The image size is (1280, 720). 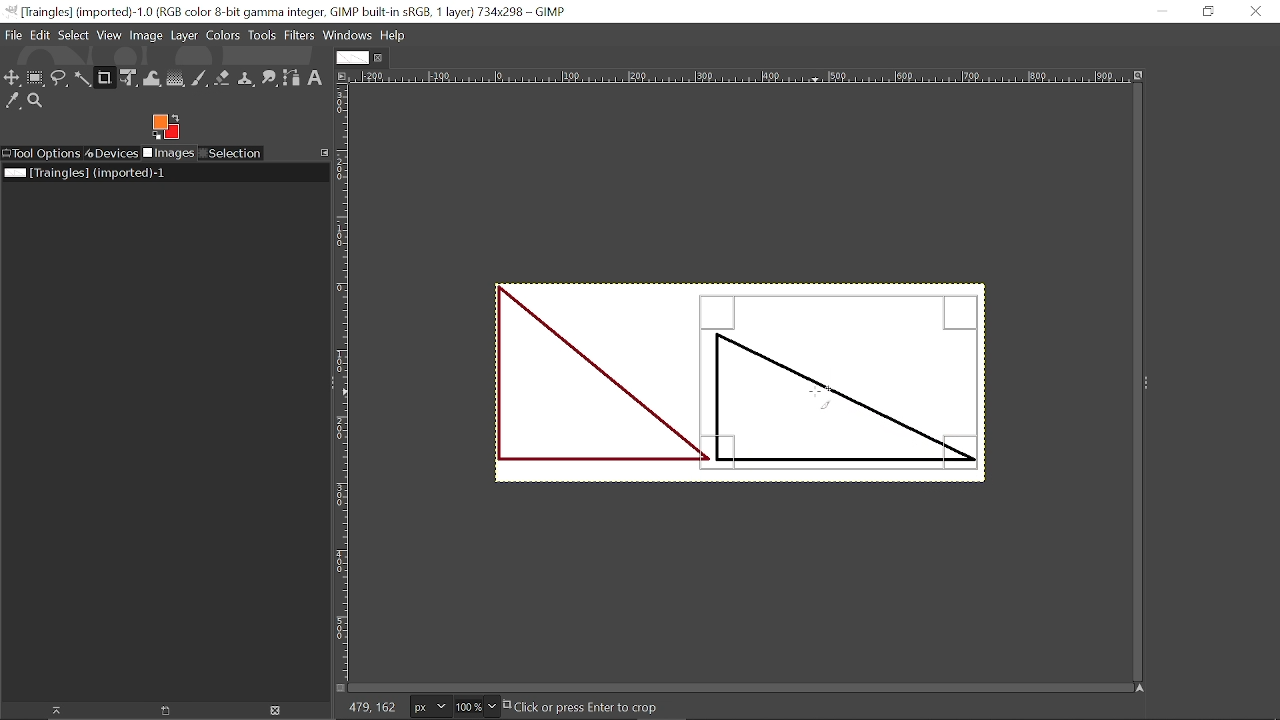 I want to click on Vertical ruler, so click(x=342, y=381).